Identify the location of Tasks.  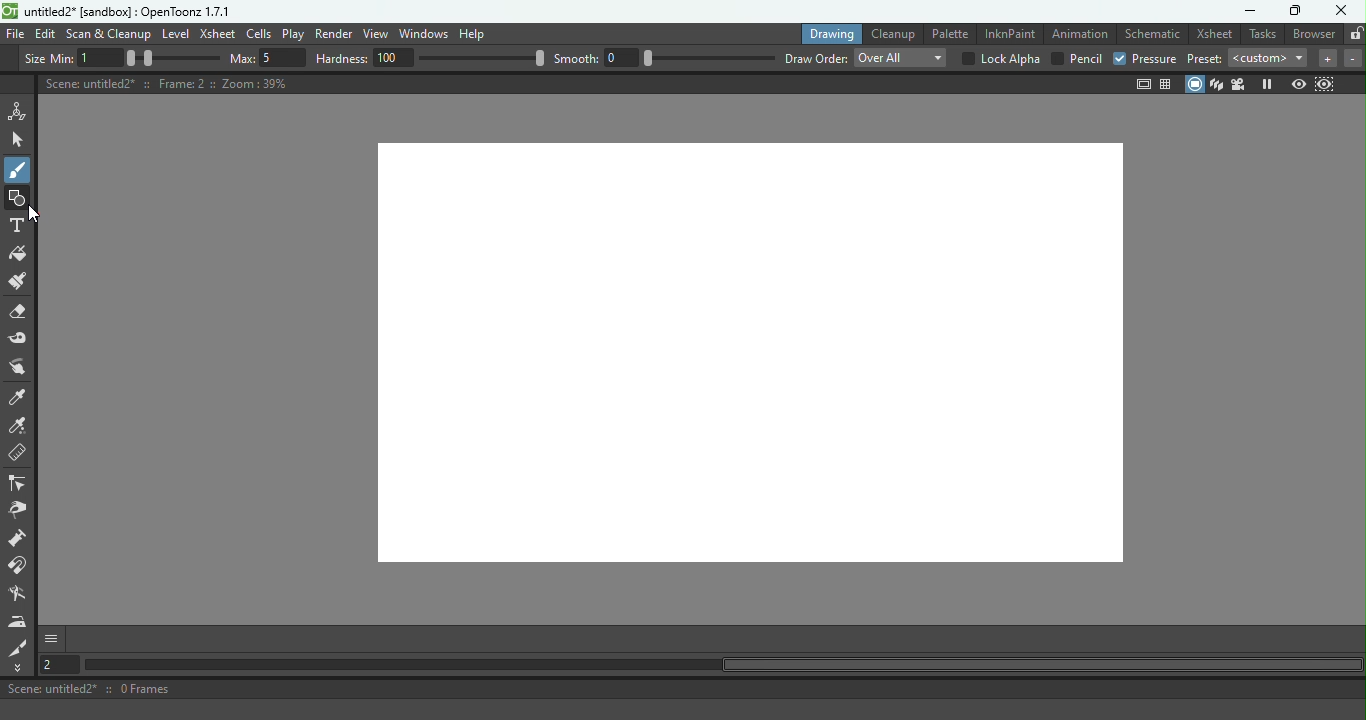
(1263, 34).